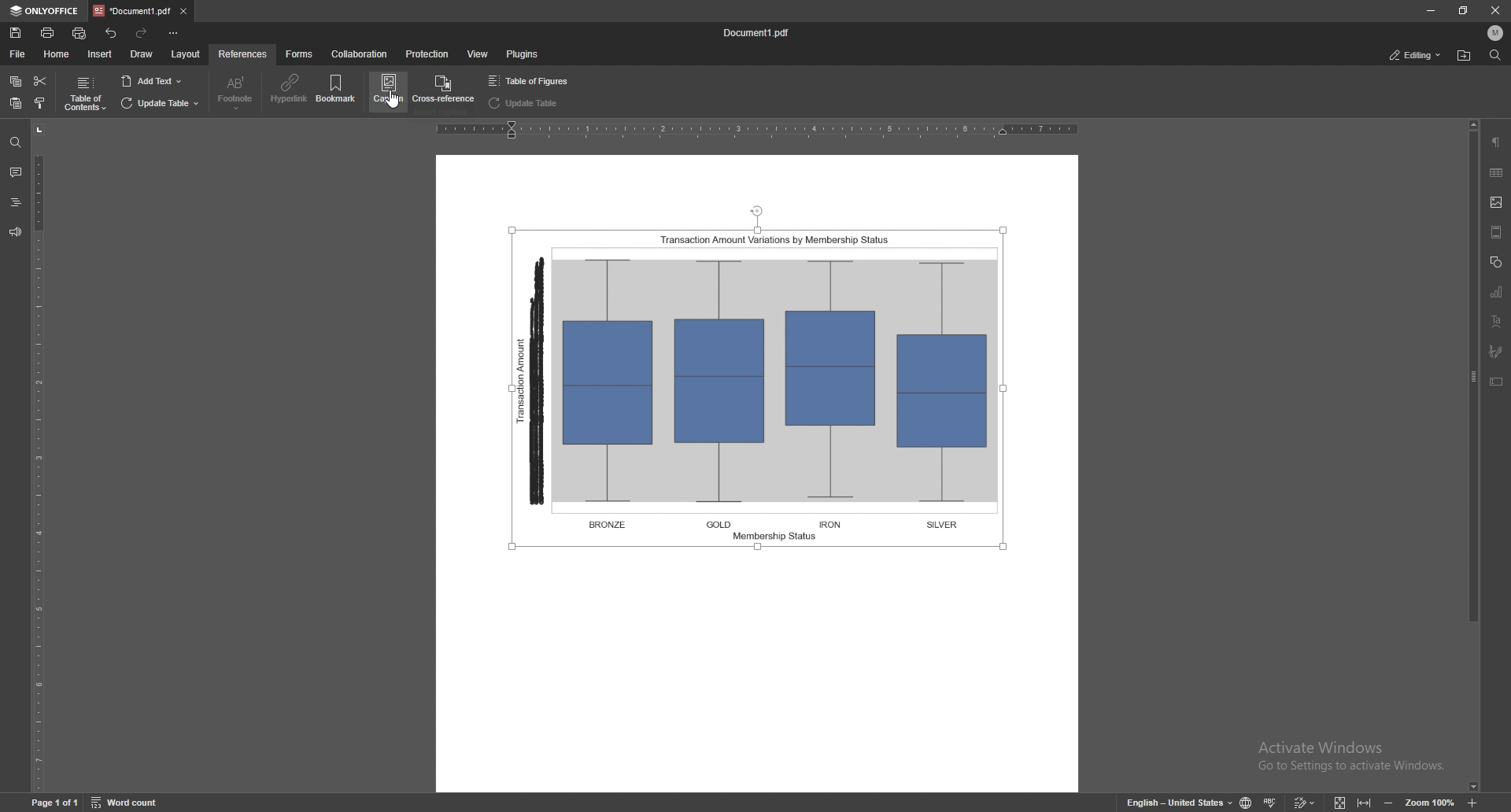  I want to click on table, so click(1497, 172).